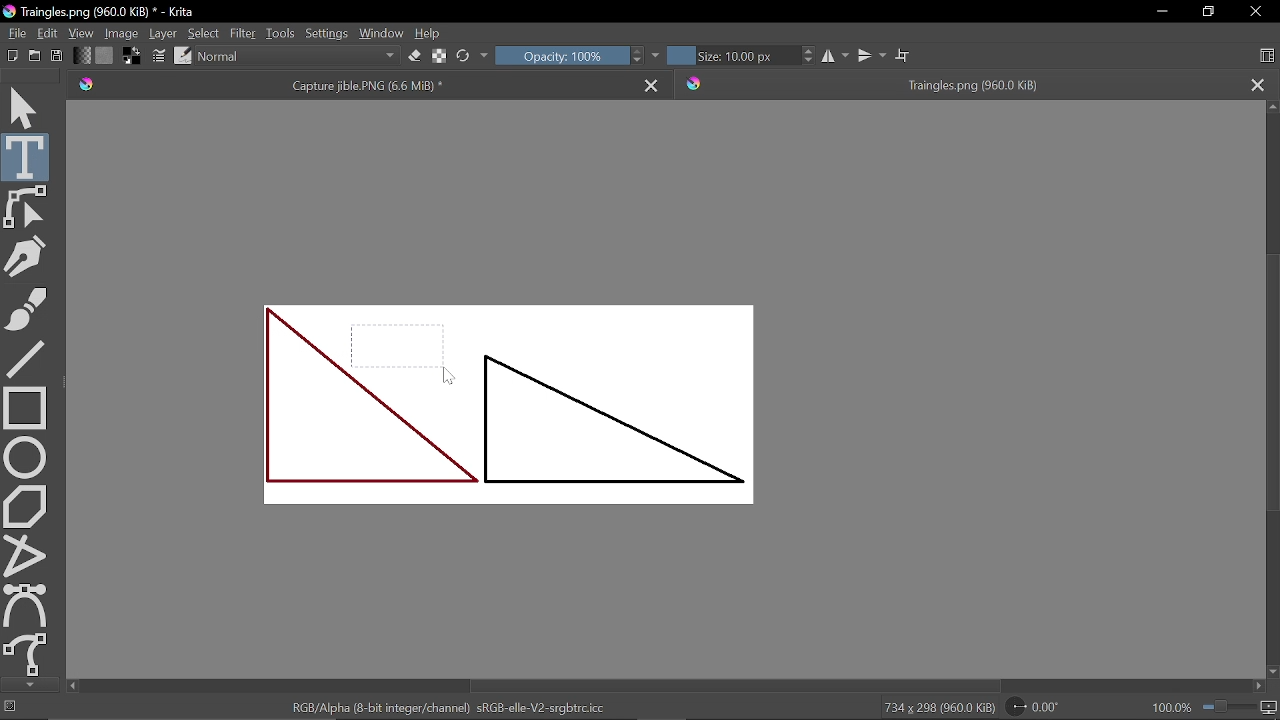 The image size is (1280, 720). I want to click on Blending, so click(297, 57).